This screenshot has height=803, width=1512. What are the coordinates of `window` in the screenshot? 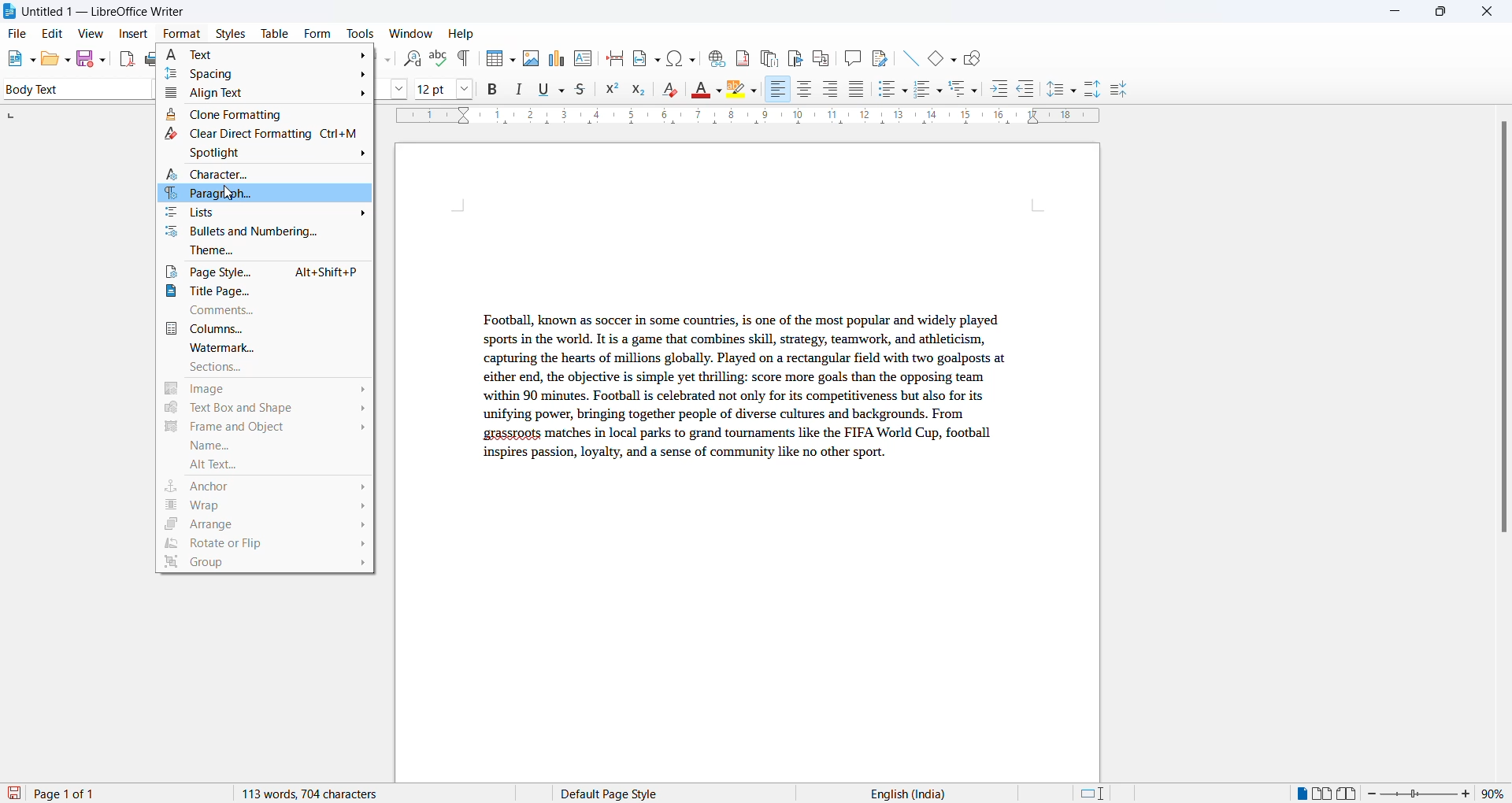 It's located at (412, 34).